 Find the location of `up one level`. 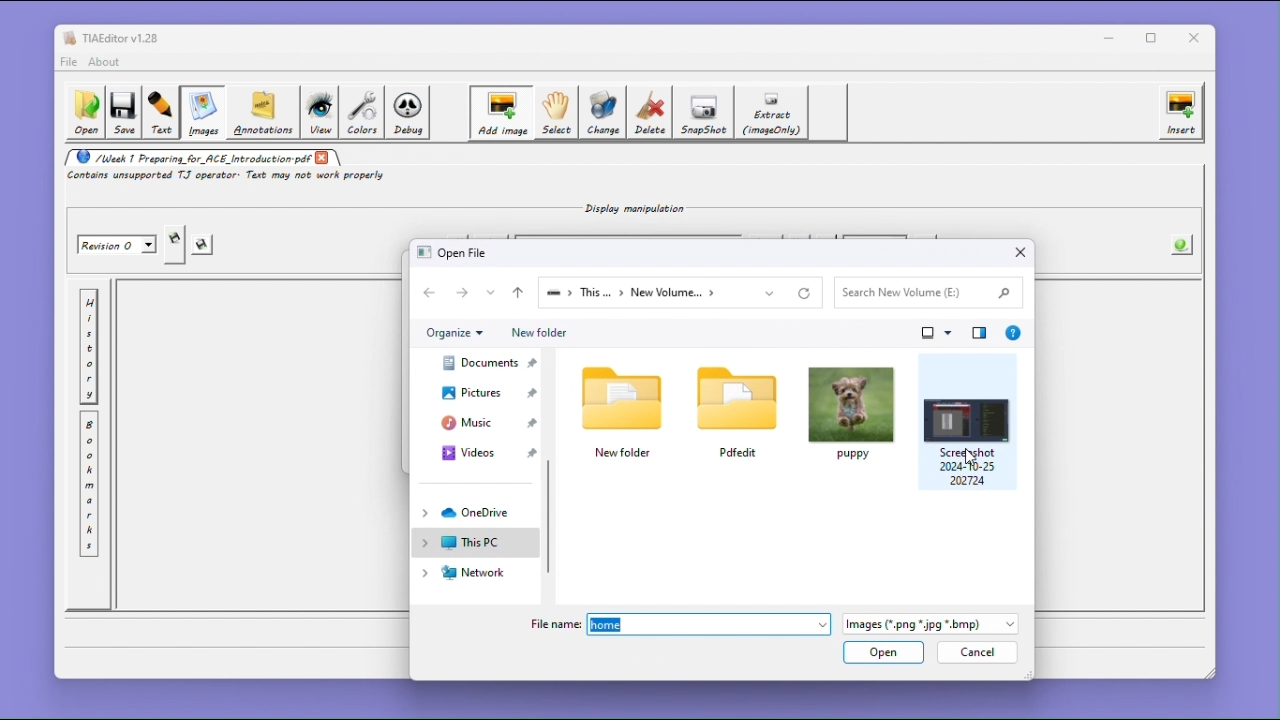

up one level is located at coordinates (517, 293).